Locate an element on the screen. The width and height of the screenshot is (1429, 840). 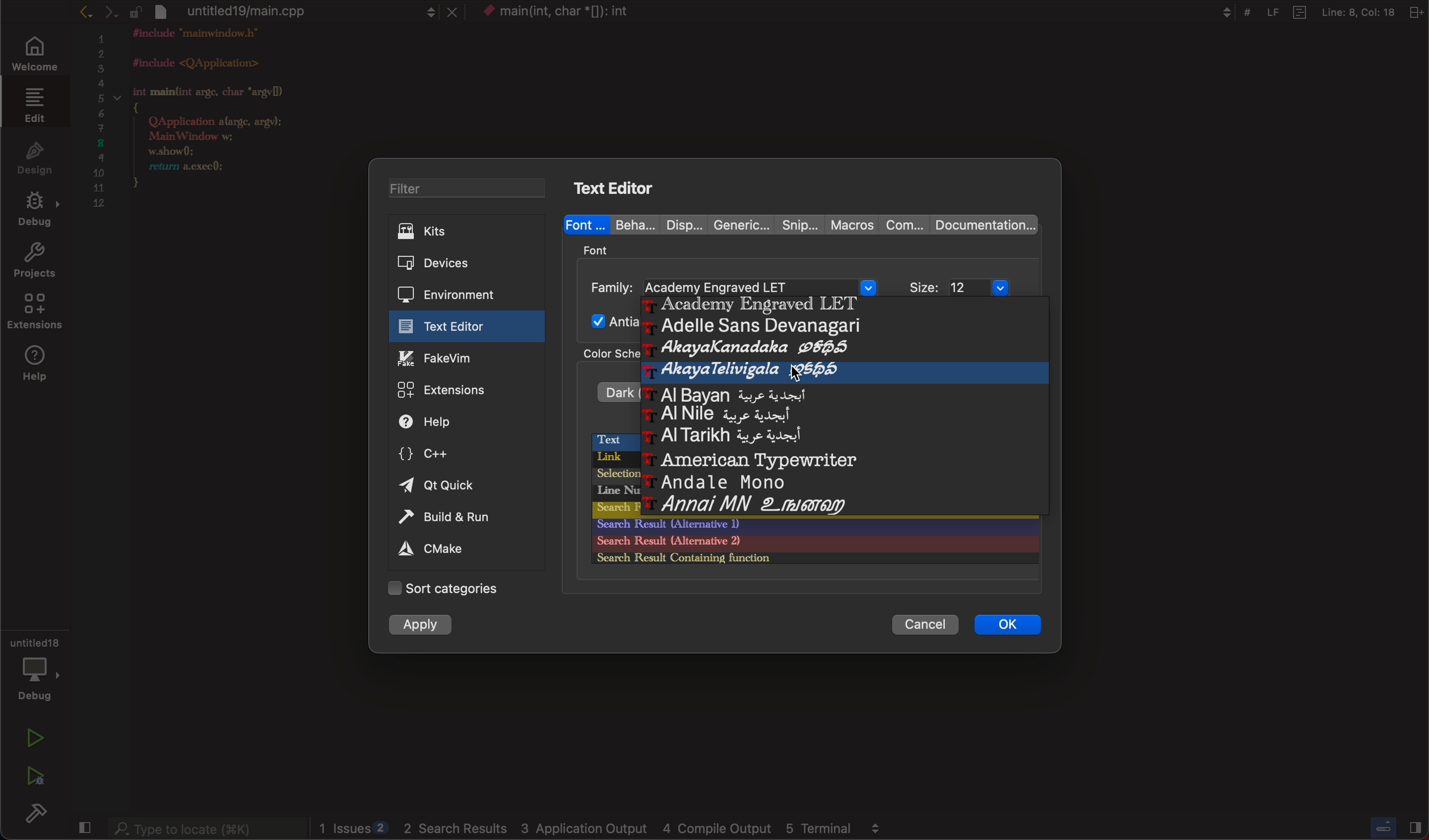
help is located at coordinates (36, 366).